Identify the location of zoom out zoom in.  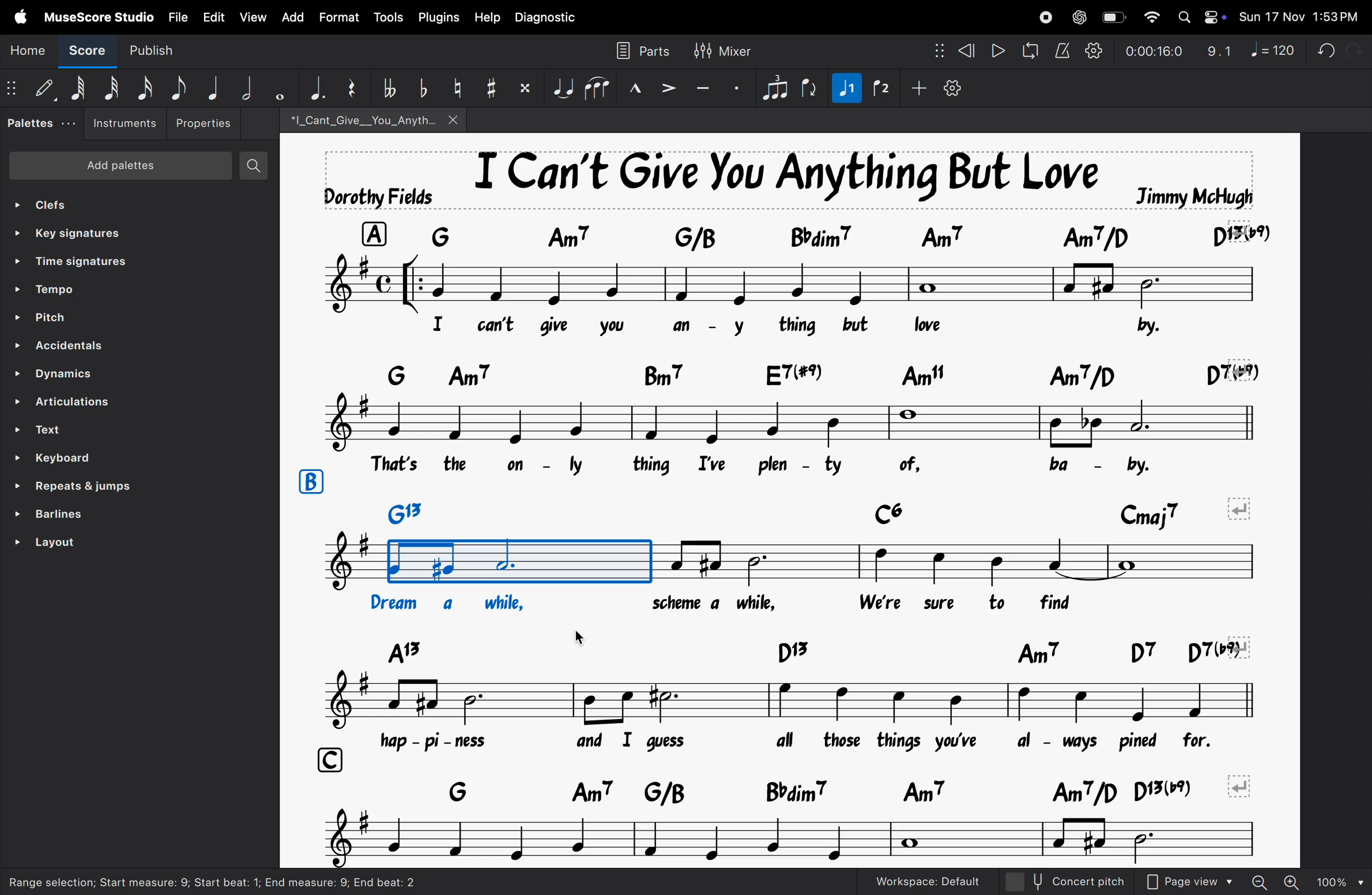
(1299, 882).